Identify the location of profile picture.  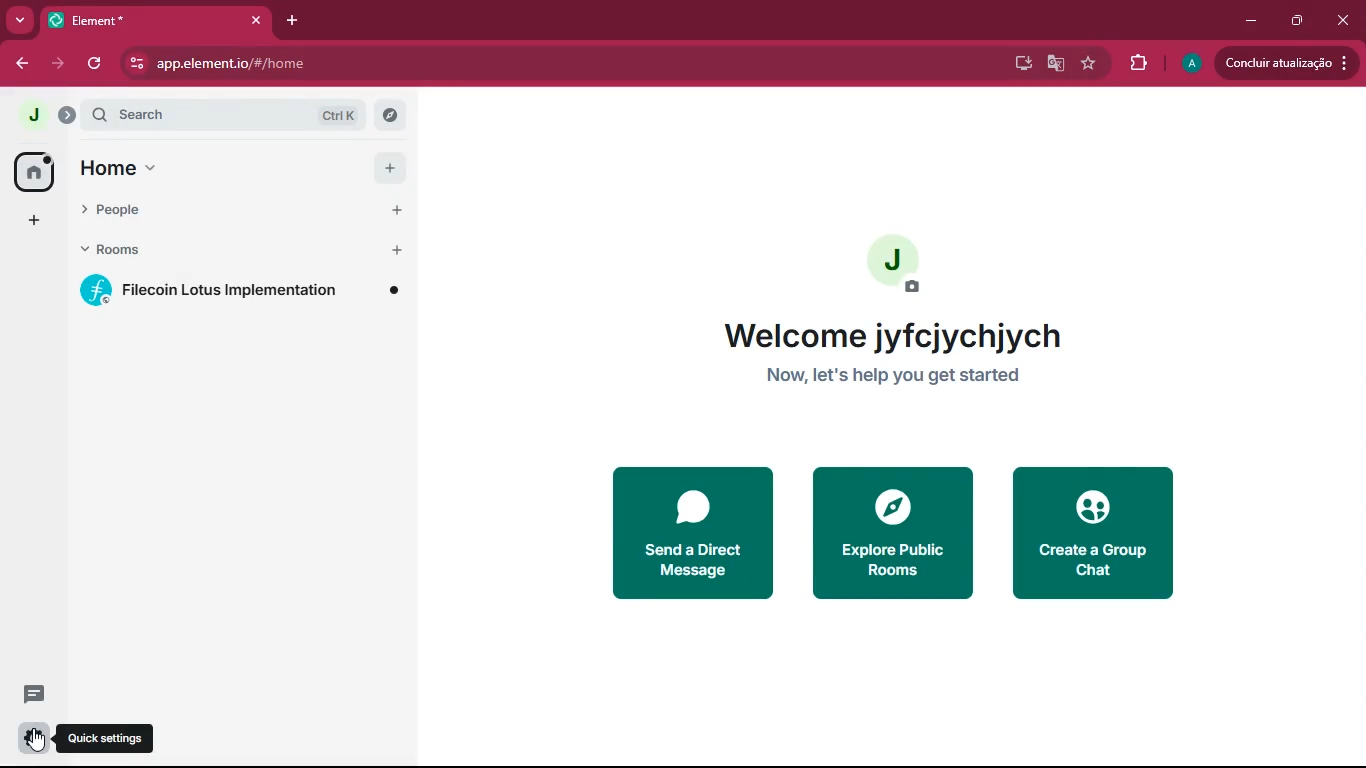
(891, 264).